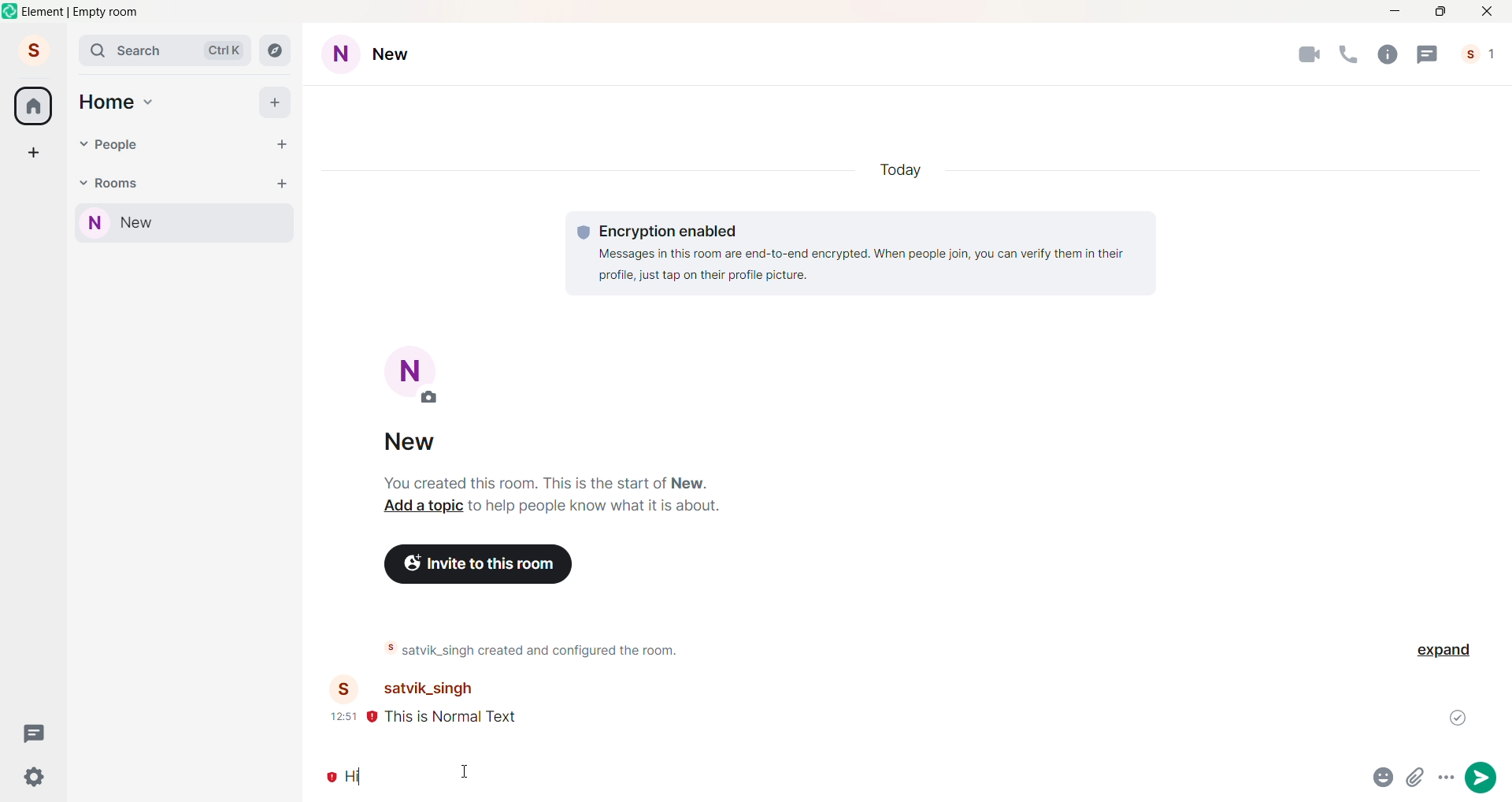 The height and width of the screenshot is (802, 1512). I want to click on new, so click(419, 444).